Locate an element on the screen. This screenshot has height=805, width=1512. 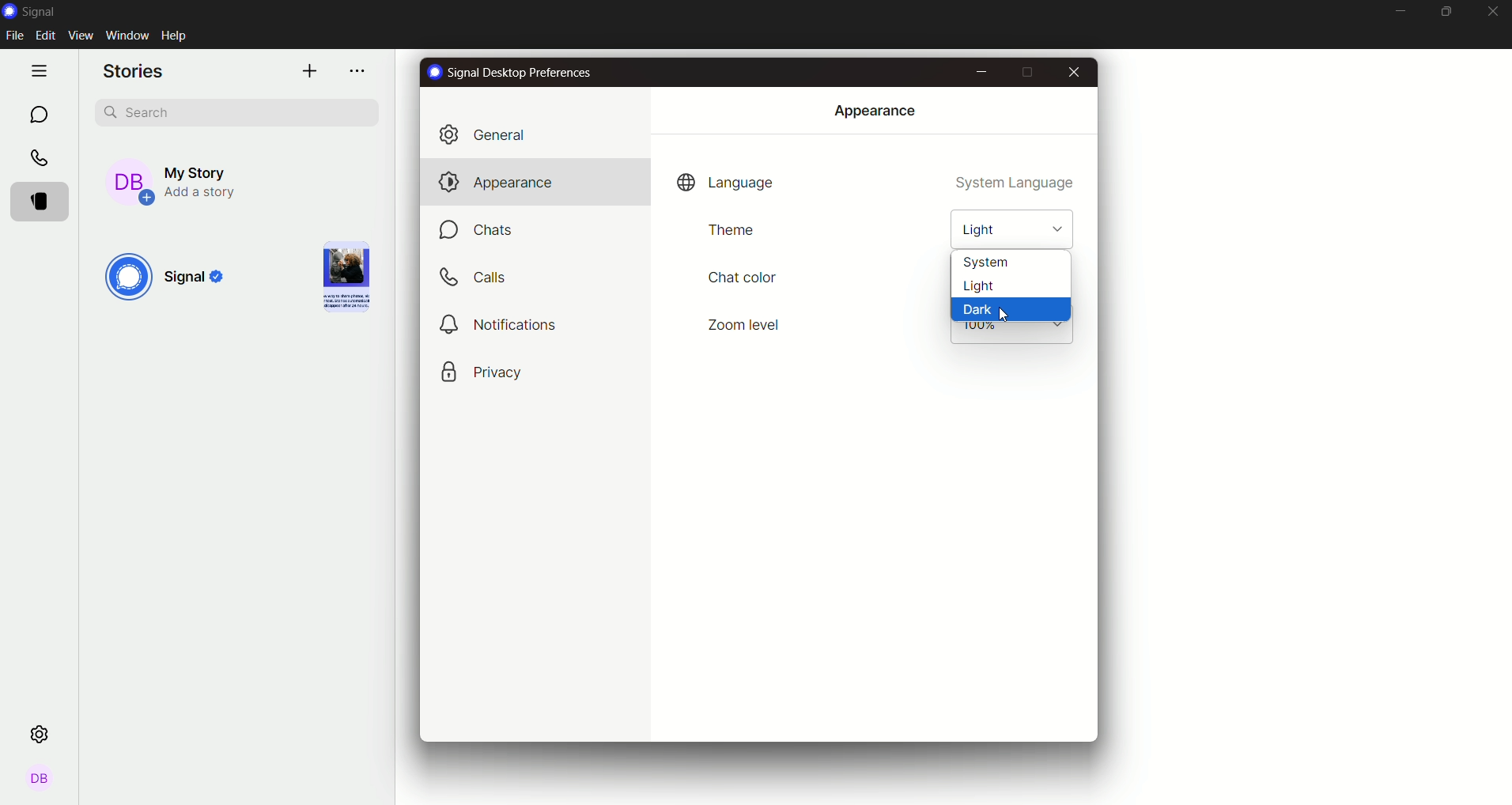
signal logo is located at coordinates (170, 279).